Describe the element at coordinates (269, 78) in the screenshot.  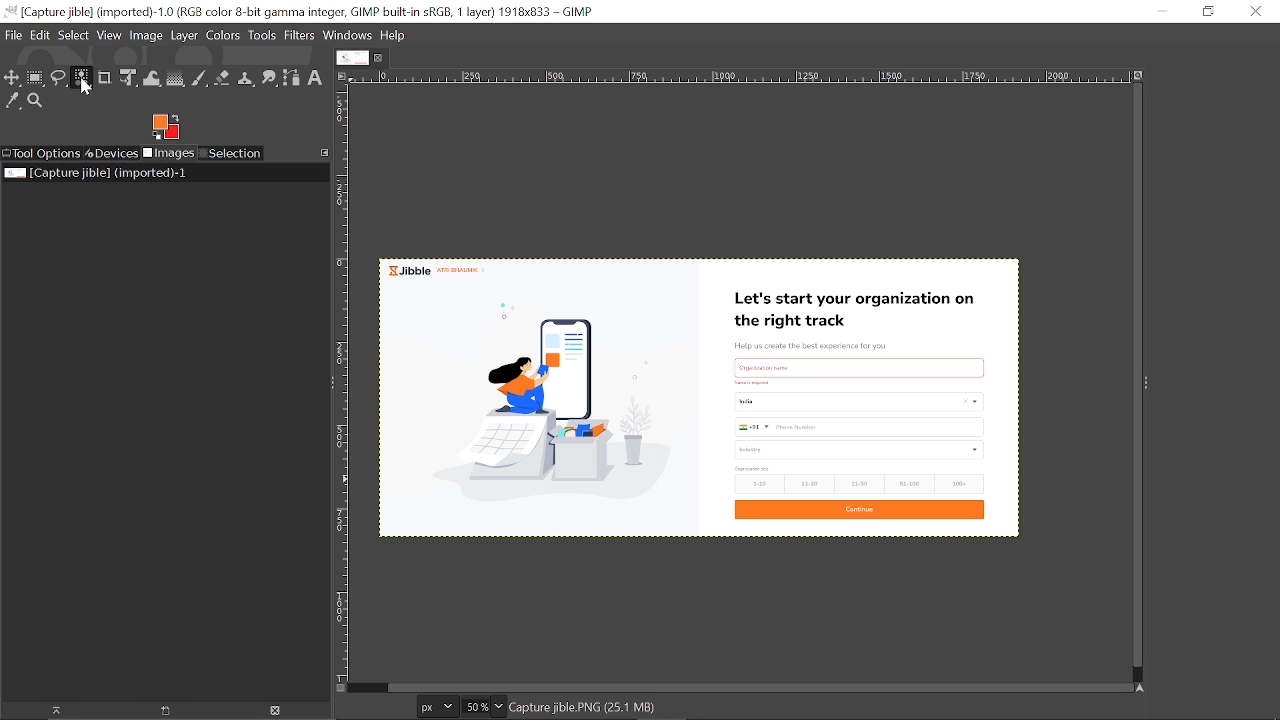
I see `Smudge tool` at that location.